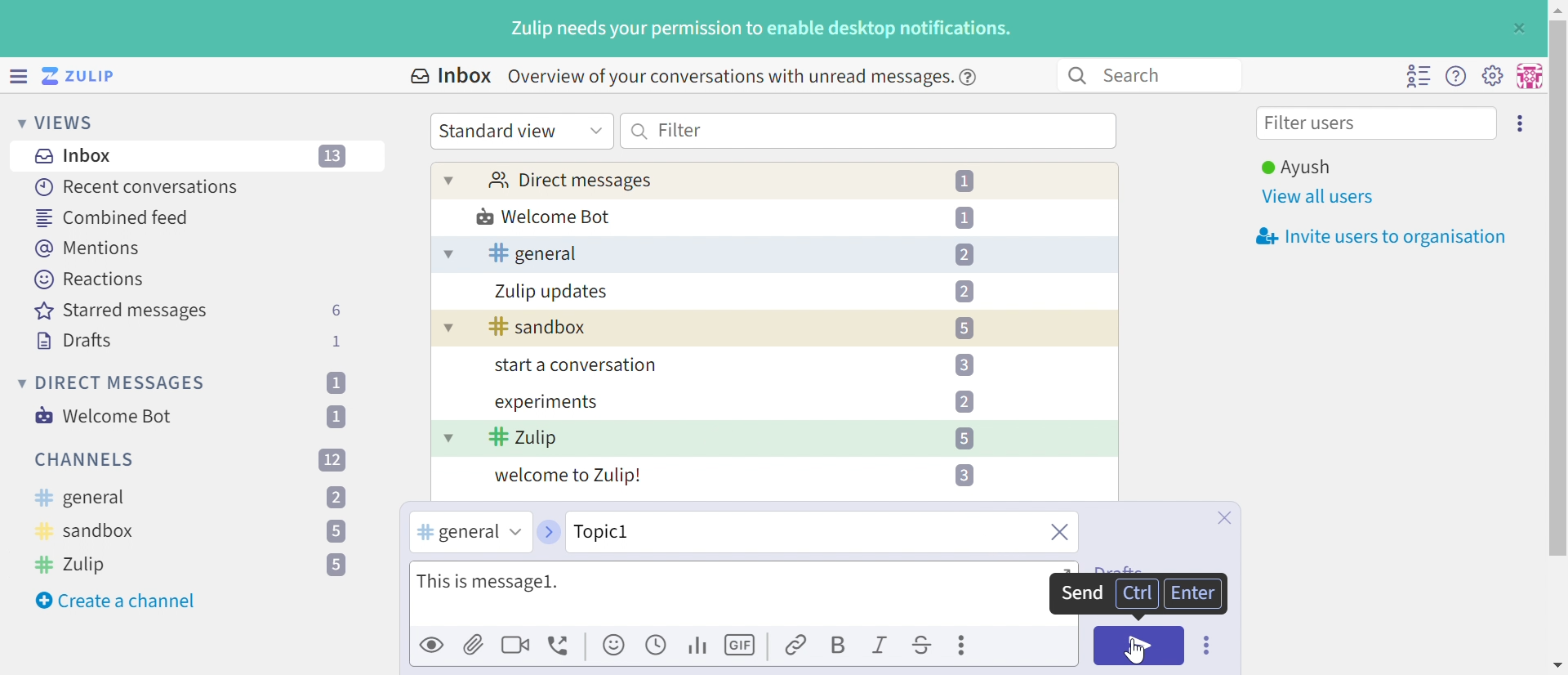  Describe the element at coordinates (16, 122) in the screenshot. I see `Drop Down` at that location.